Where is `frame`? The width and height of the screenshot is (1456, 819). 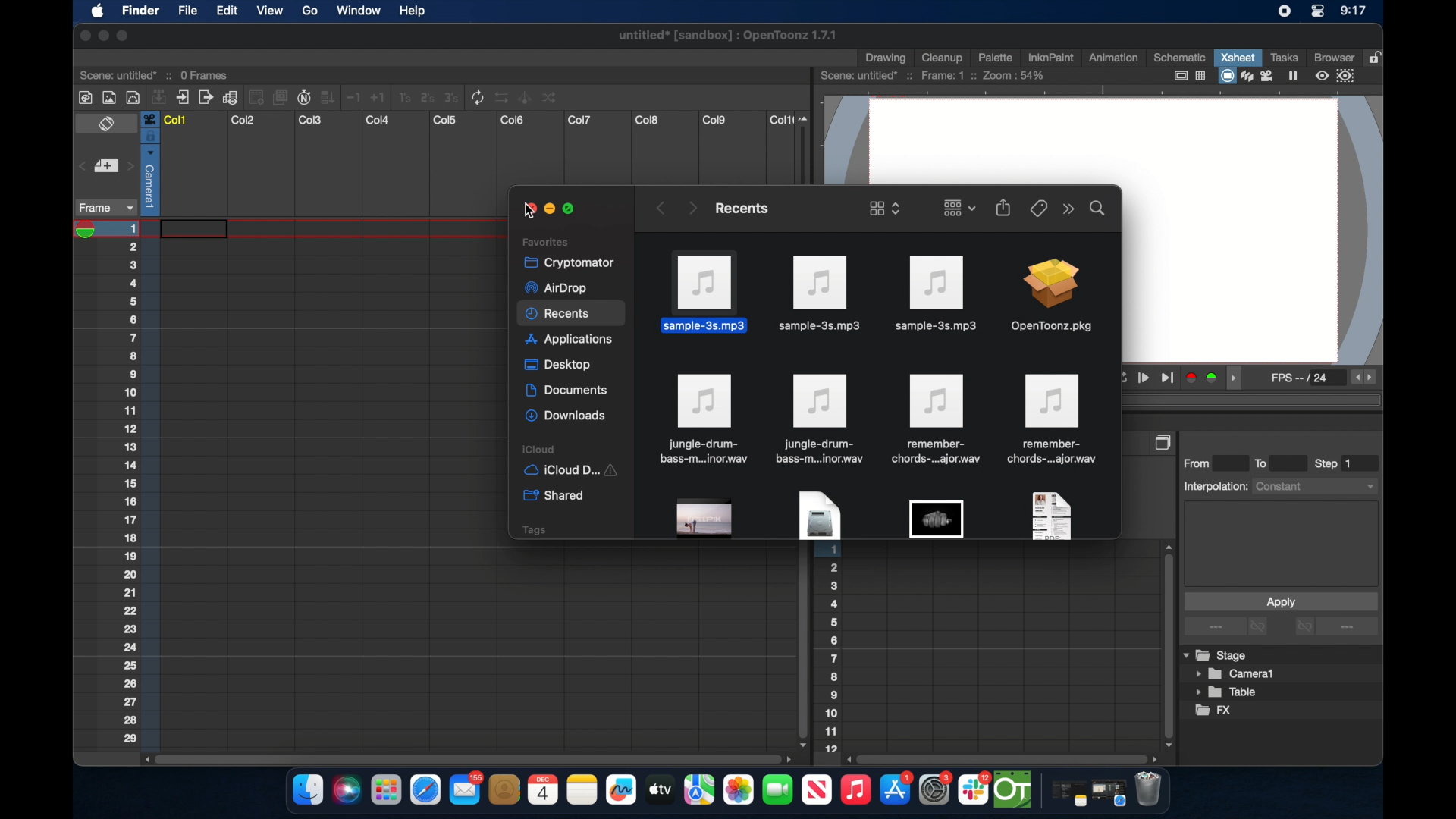
frame is located at coordinates (103, 208).